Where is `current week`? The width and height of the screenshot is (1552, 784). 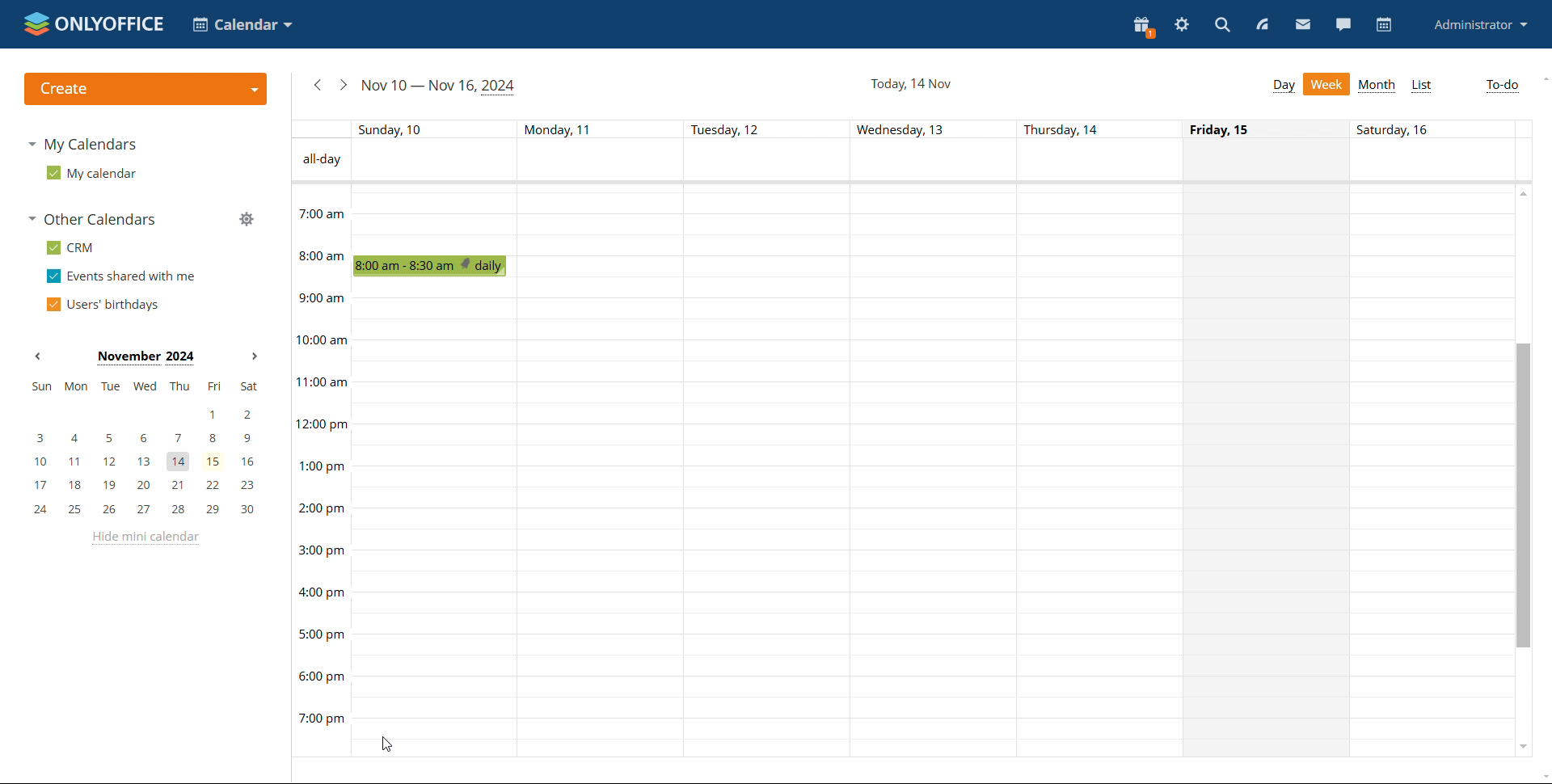 current week is located at coordinates (440, 86).